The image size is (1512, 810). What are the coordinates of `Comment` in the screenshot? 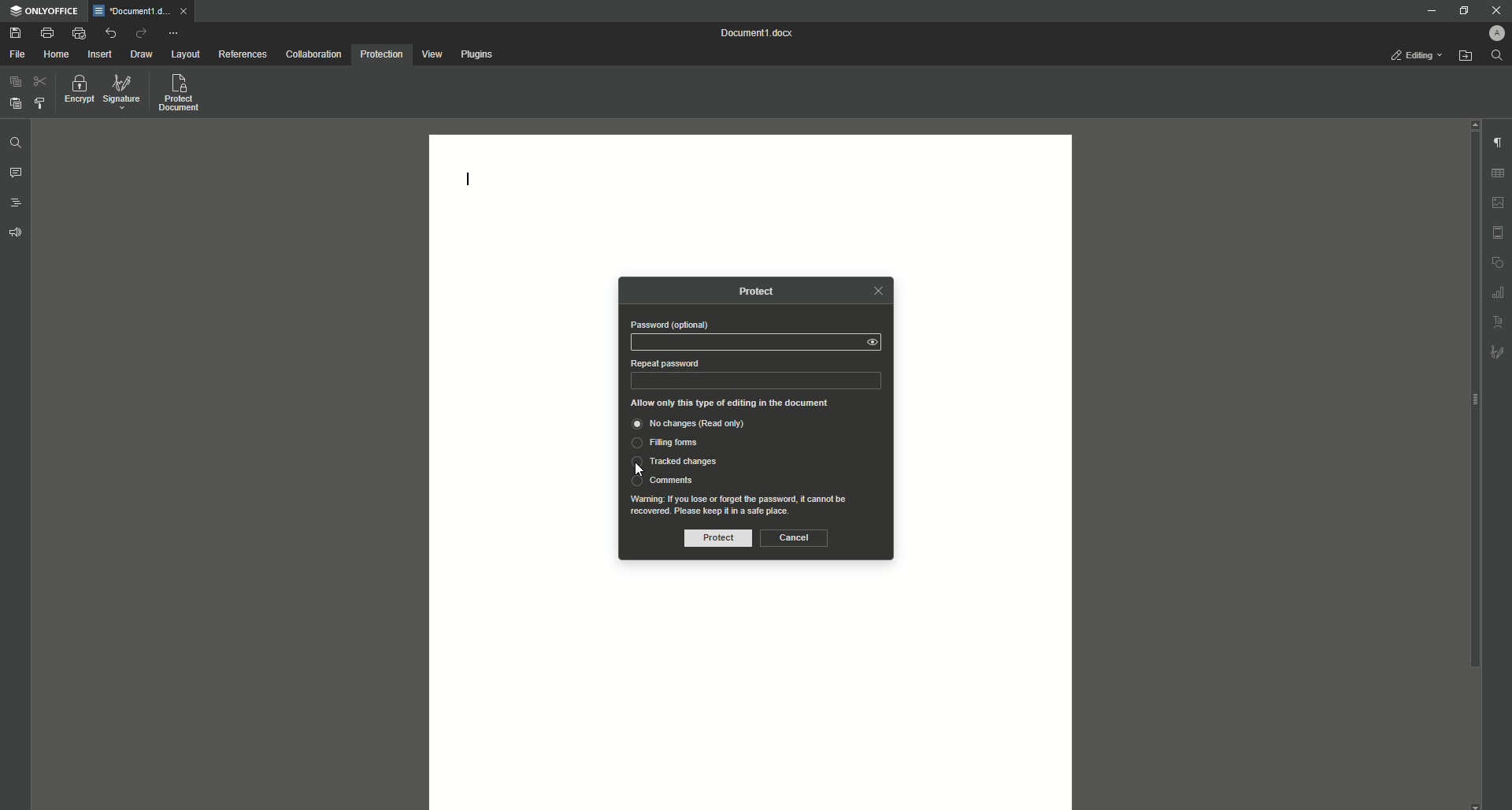 It's located at (17, 174).